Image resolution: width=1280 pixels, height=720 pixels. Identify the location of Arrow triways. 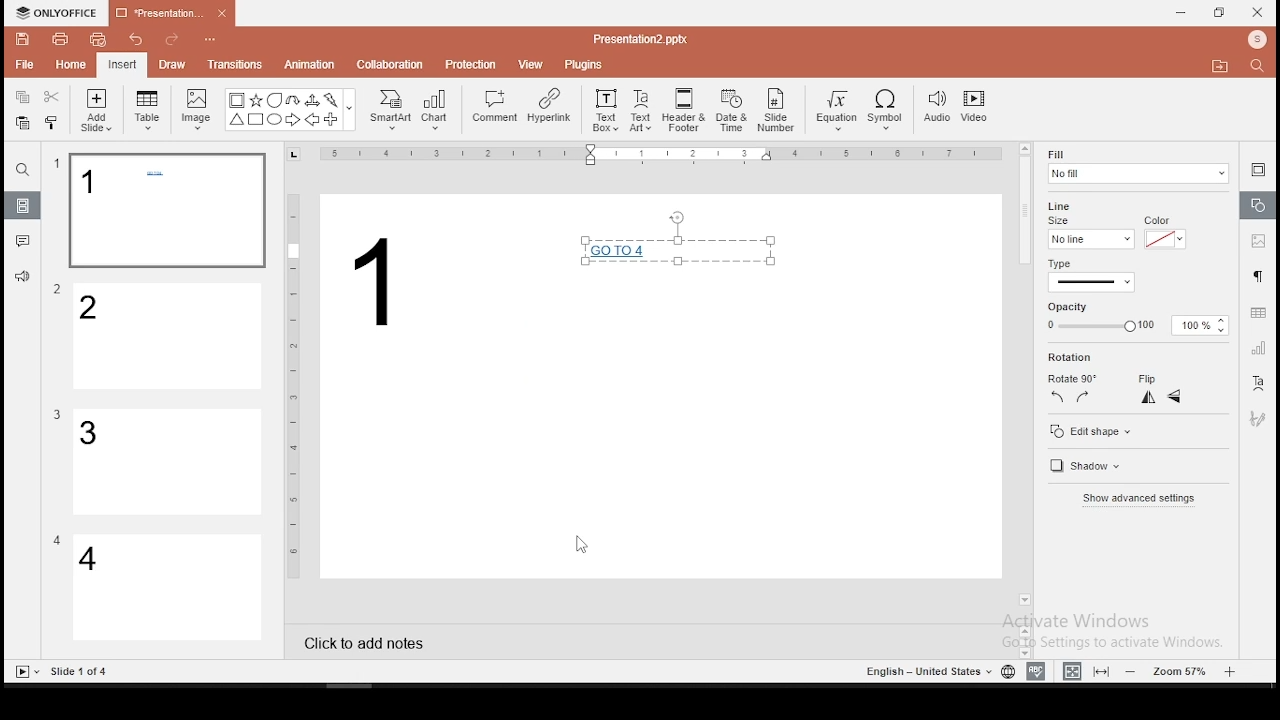
(313, 100).